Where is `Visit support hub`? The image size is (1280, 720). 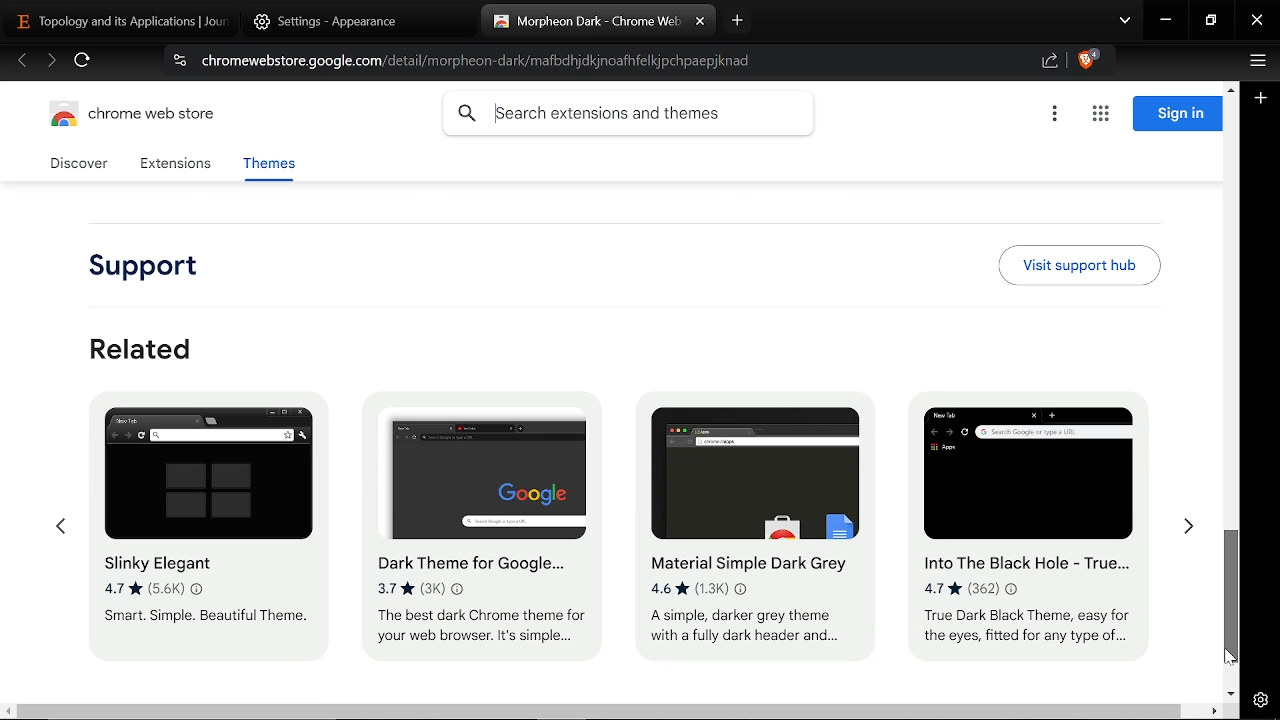
Visit support hub is located at coordinates (1079, 265).